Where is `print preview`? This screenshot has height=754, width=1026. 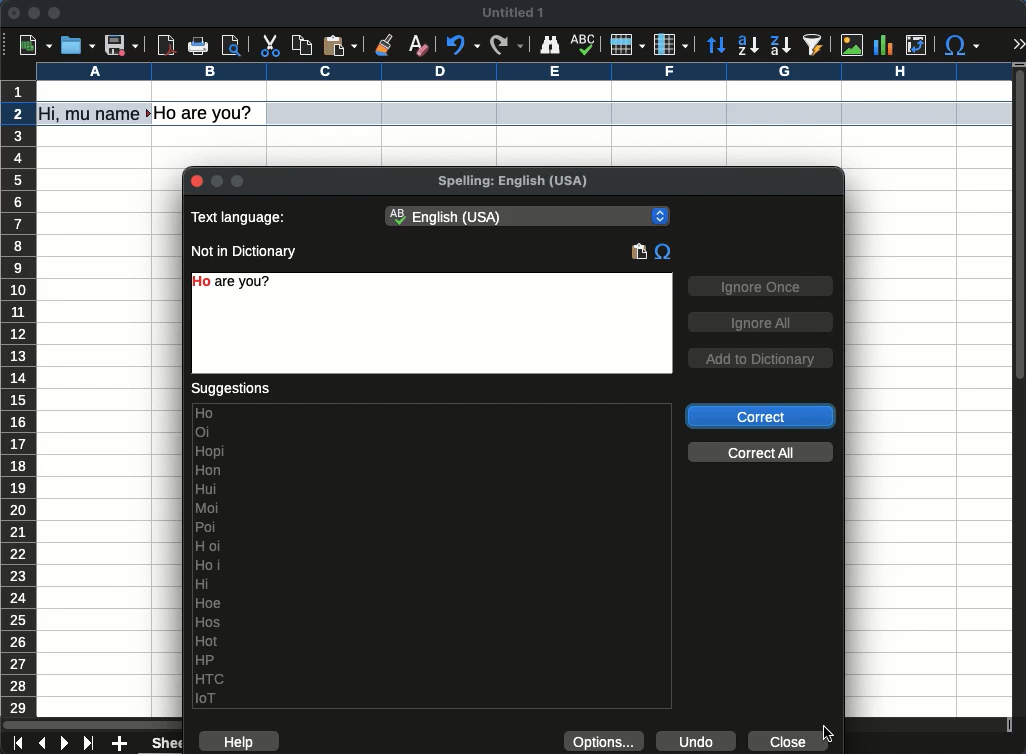
print preview is located at coordinates (233, 45).